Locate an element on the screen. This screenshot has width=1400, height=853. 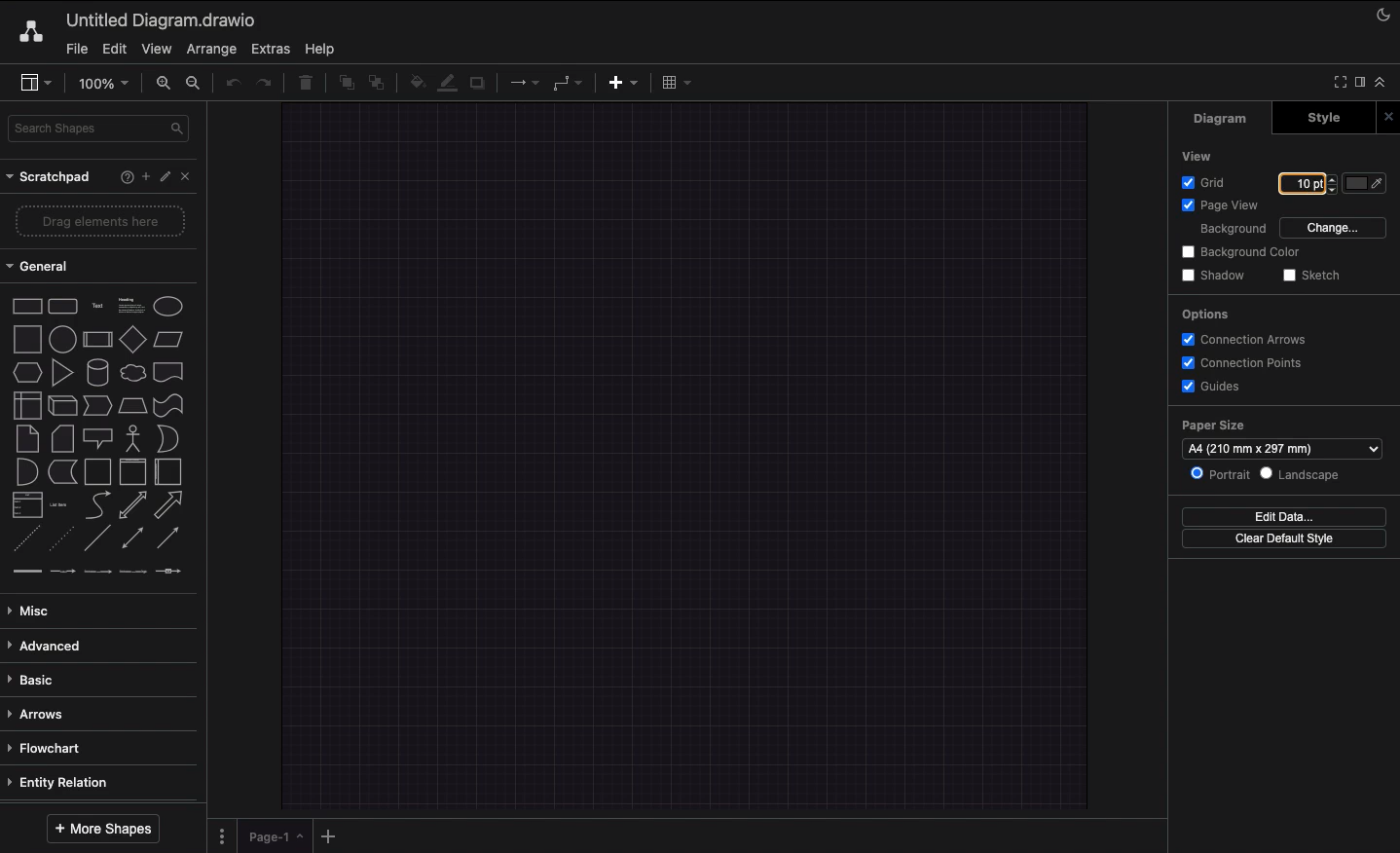
Options is located at coordinates (1206, 315).